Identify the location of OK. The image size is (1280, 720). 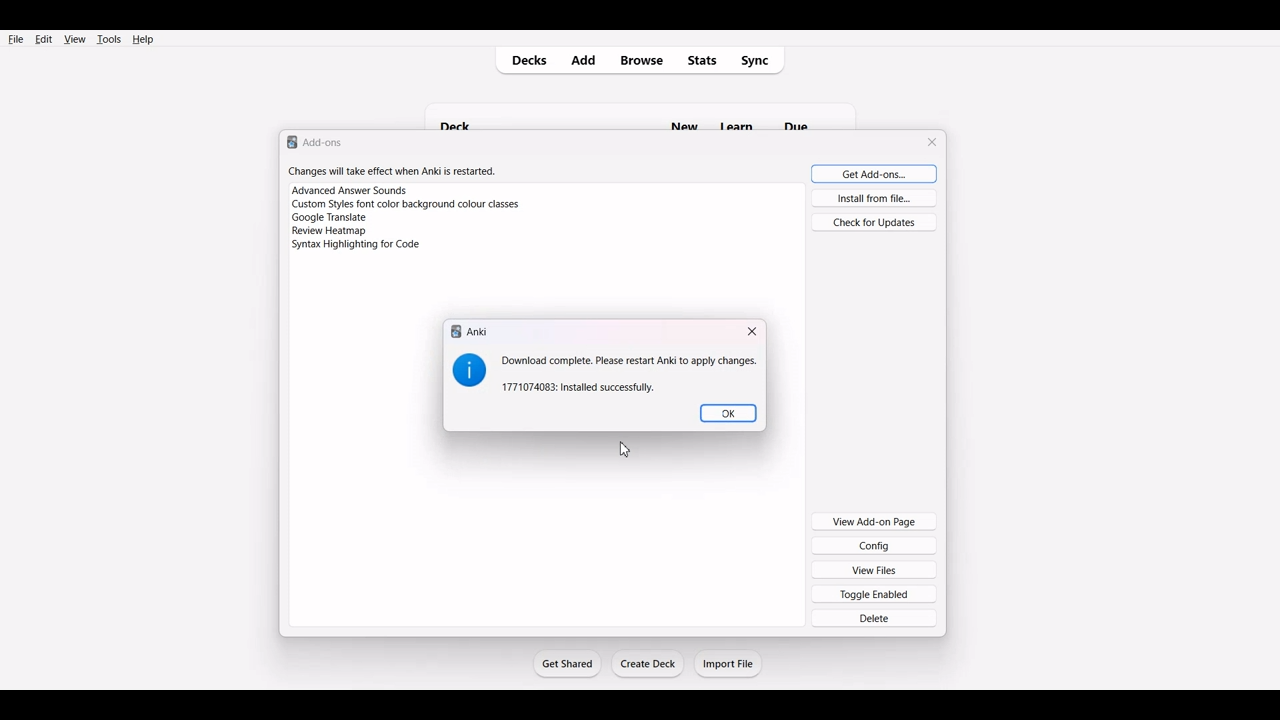
(729, 413).